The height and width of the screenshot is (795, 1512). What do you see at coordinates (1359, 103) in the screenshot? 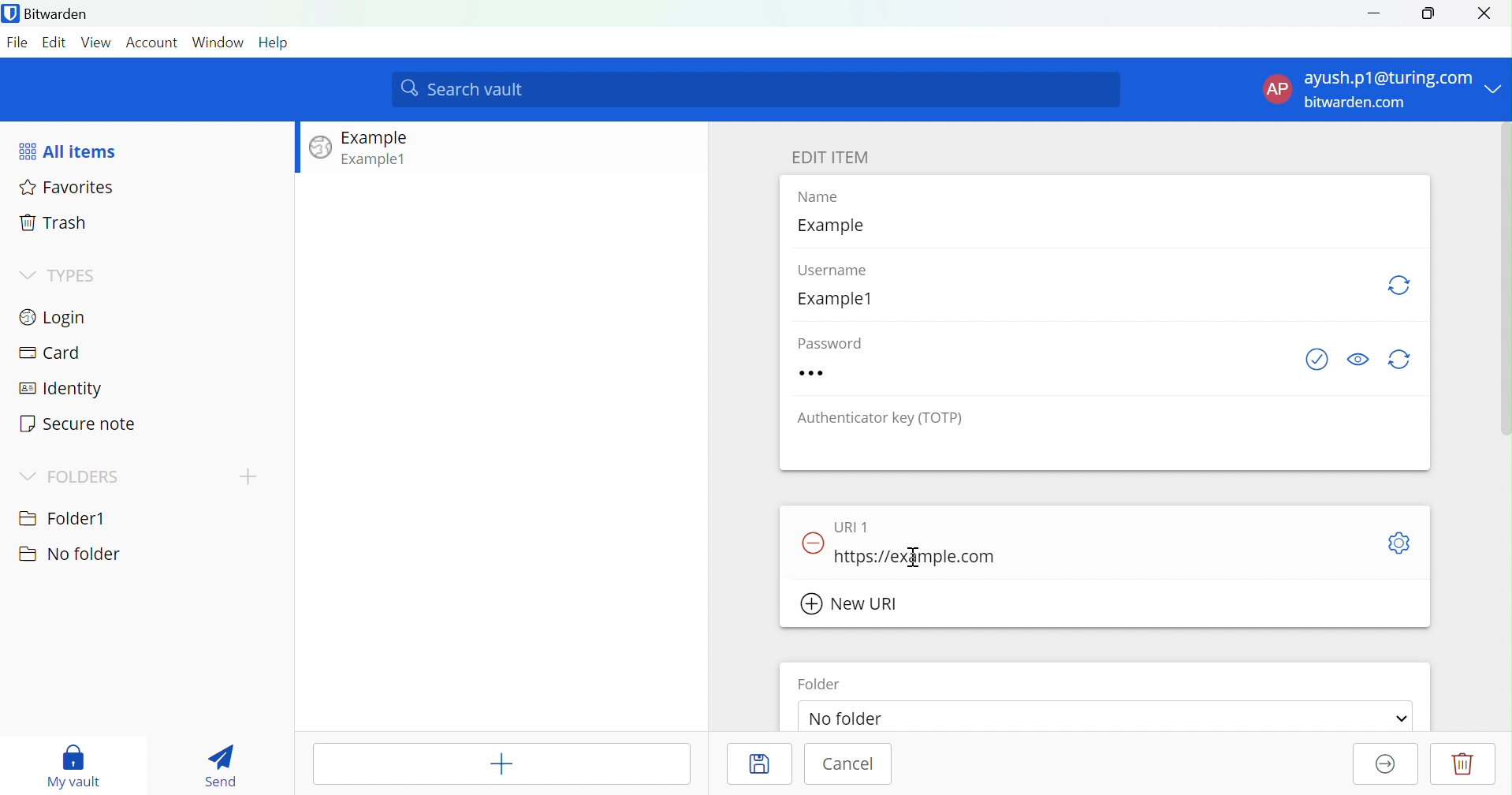
I see `bitwarden.com` at bounding box center [1359, 103].